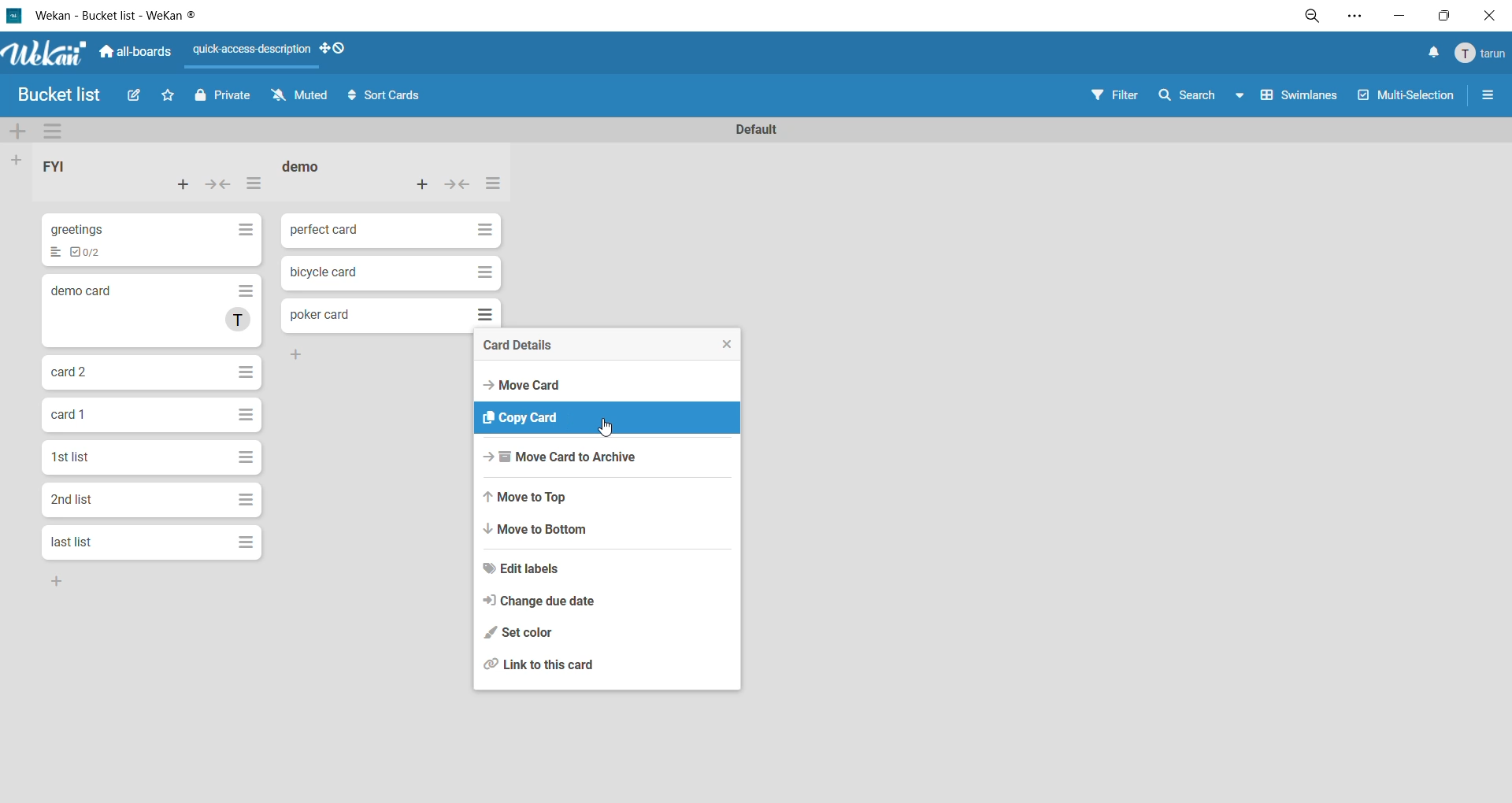  What do you see at coordinates (73, 372) in the screenshot?
I see `card 2` at bounding box center [73, 372].